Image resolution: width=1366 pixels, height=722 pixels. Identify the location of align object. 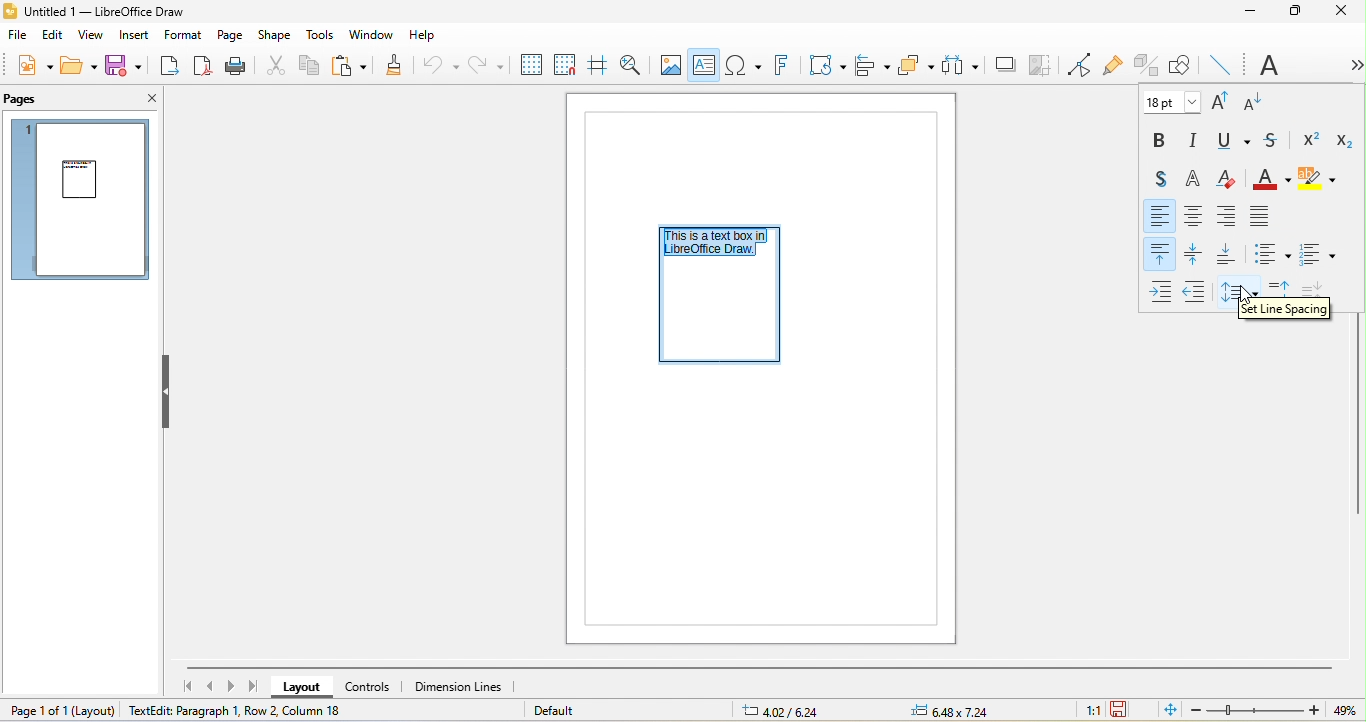
(871, 67).